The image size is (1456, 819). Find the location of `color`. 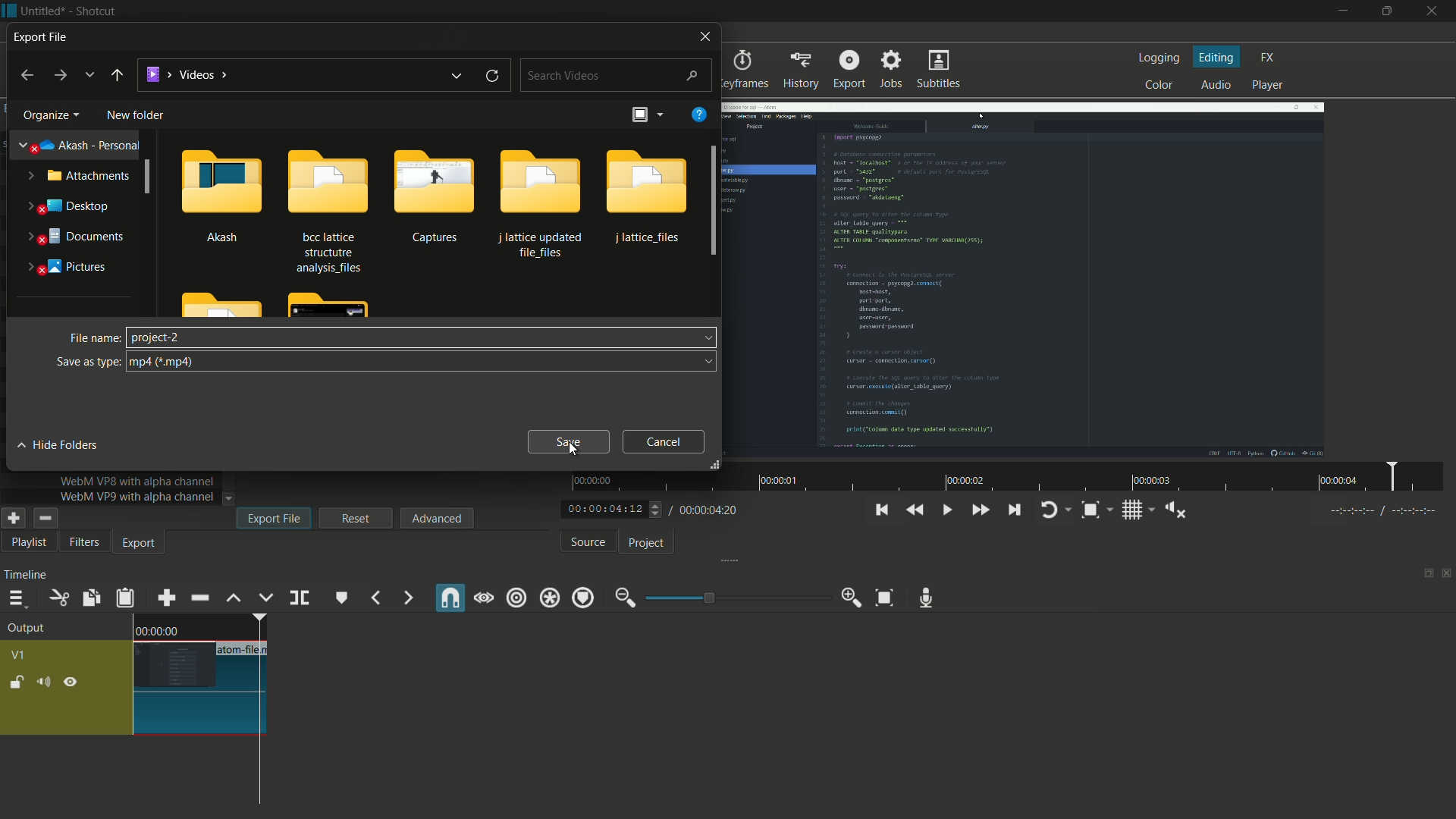

color is located at coordinates (1157, 86).